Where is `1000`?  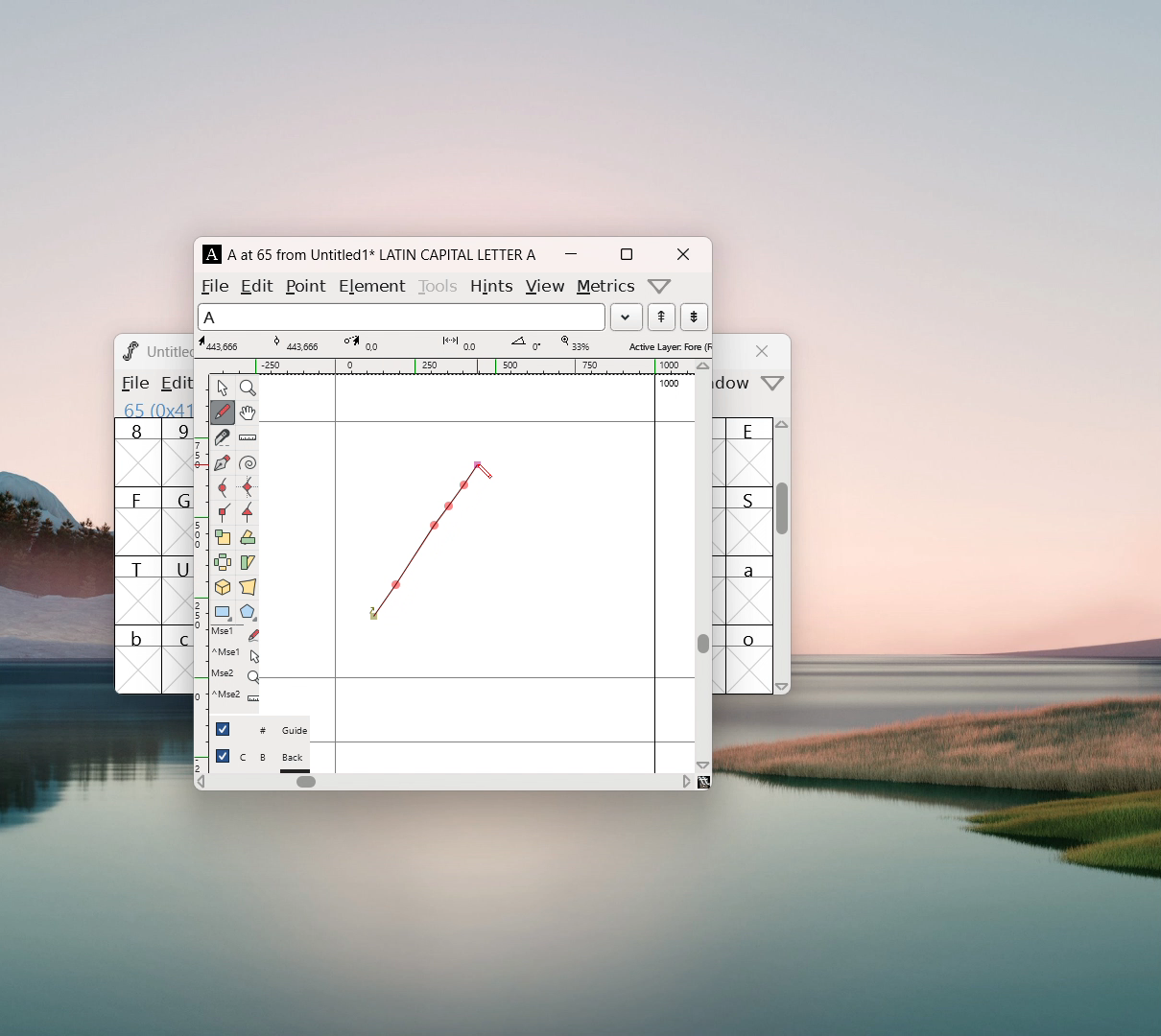
1000 is located at coordinates (672, 384).